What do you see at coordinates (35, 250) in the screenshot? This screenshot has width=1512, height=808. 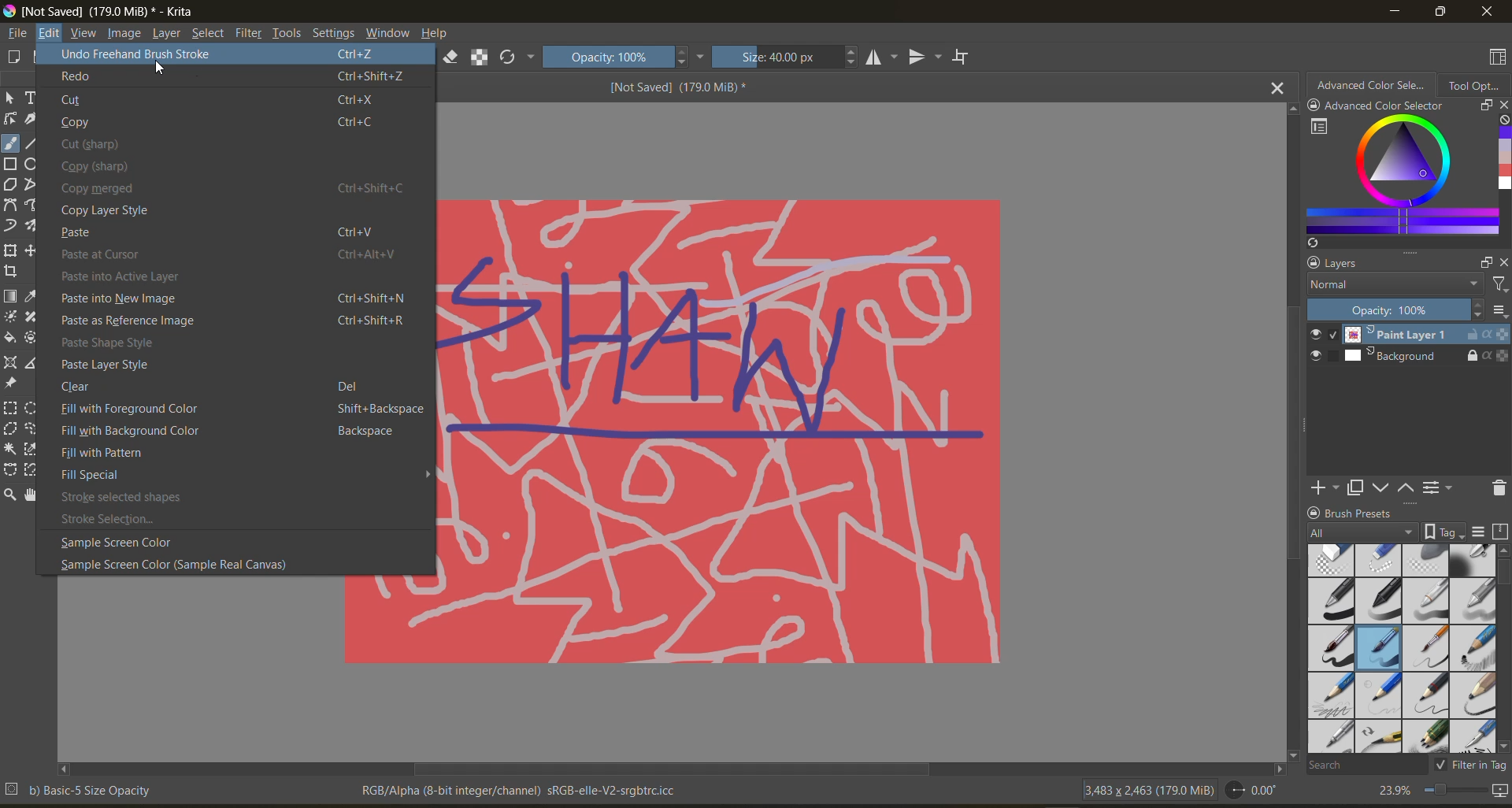 I see `Move a layer` at bounding box center [35, 250].